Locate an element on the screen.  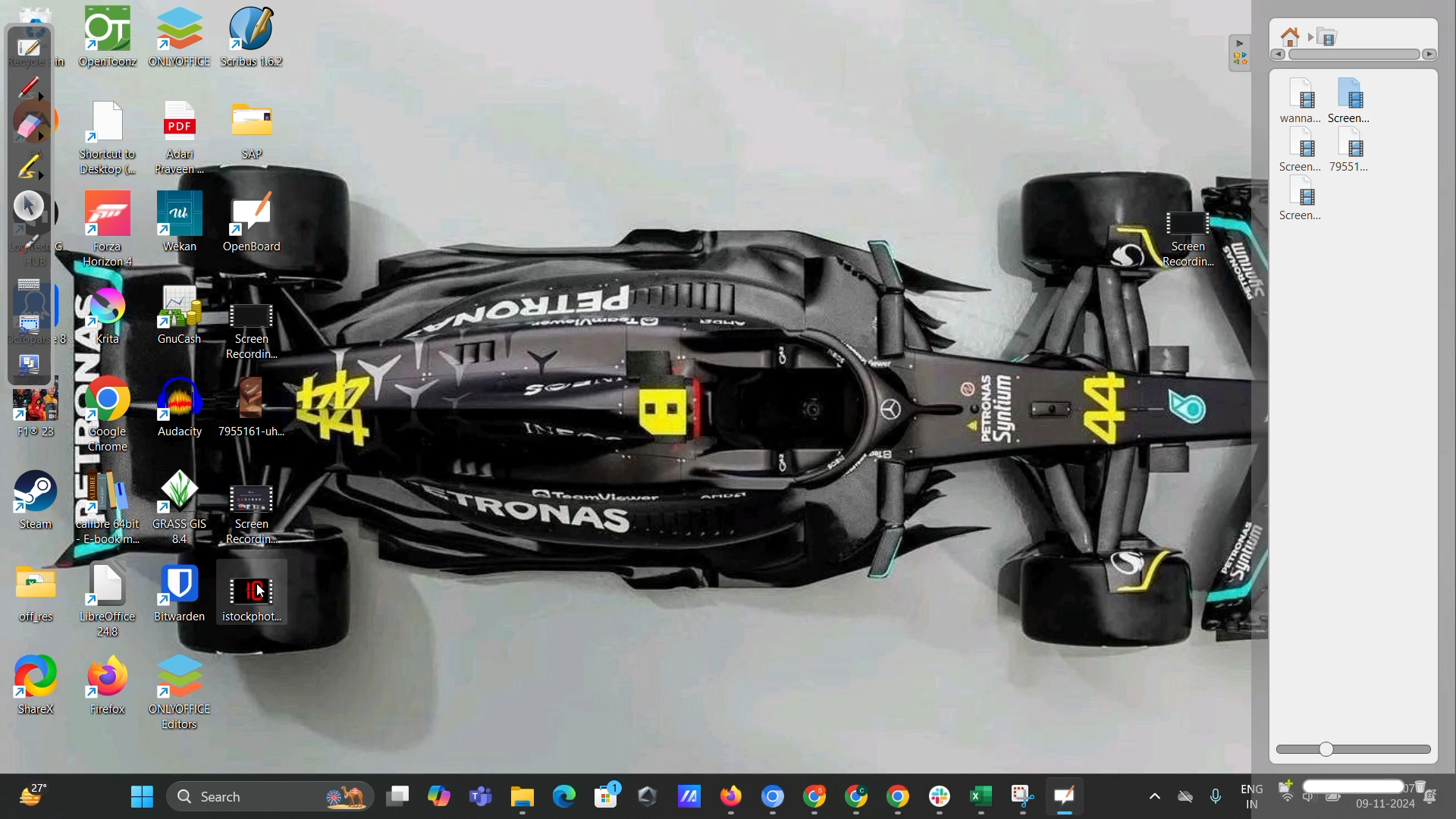
video 4 is located at coordinates (1358, 157).